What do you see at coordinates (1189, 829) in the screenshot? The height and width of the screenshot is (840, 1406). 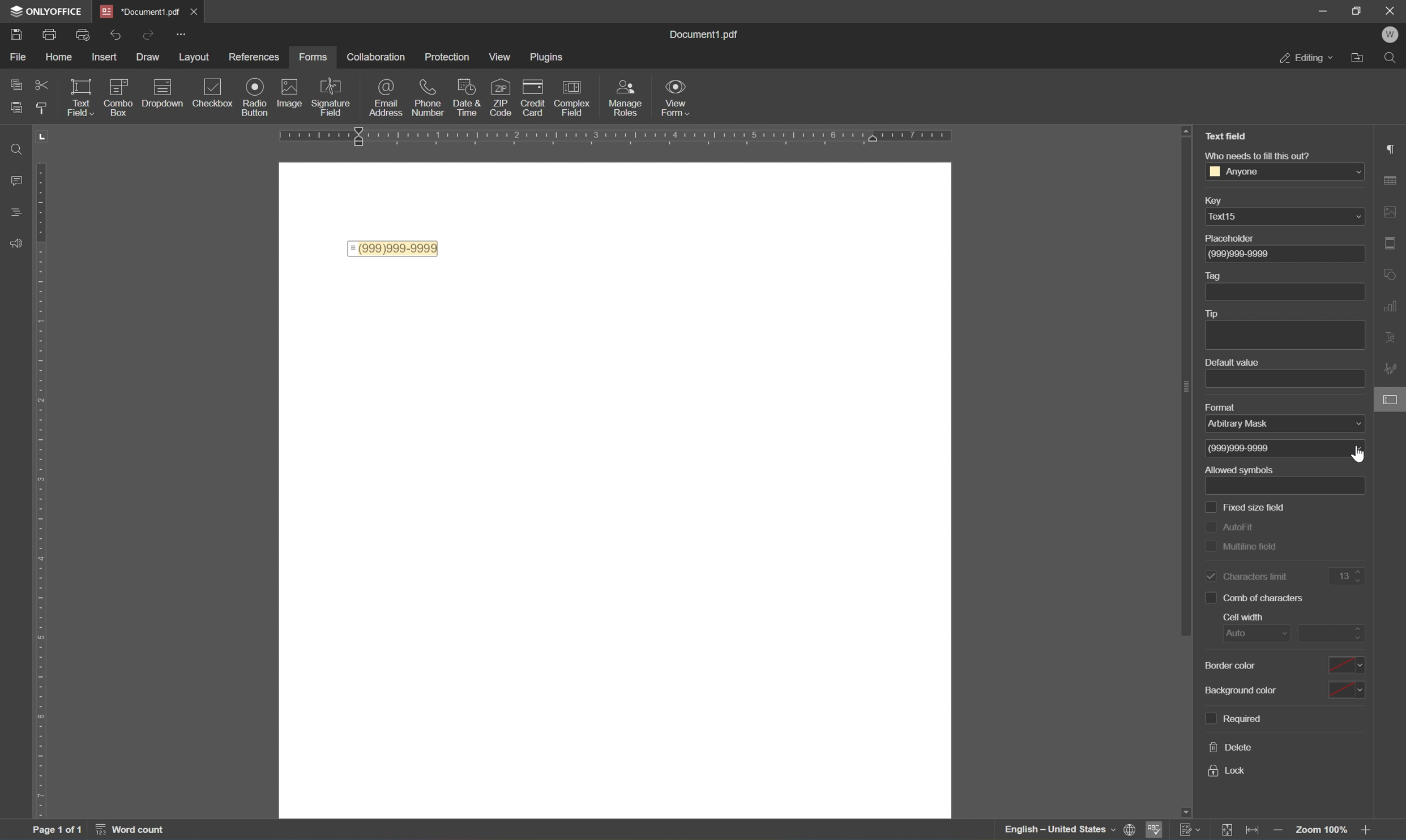 I see `track changes` at bounding box center [1189, 829].